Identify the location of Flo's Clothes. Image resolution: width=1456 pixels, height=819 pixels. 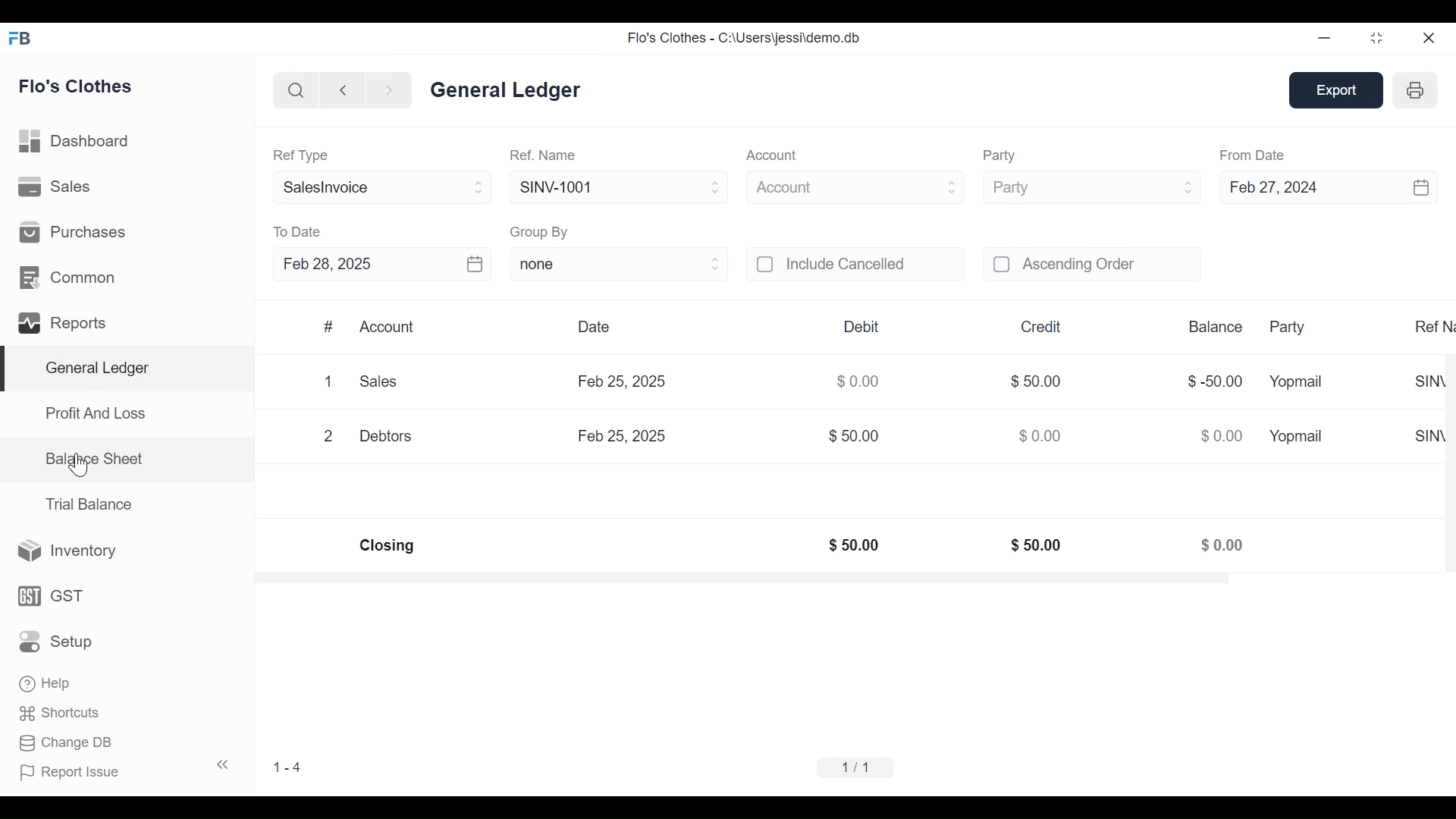
(77, 88).